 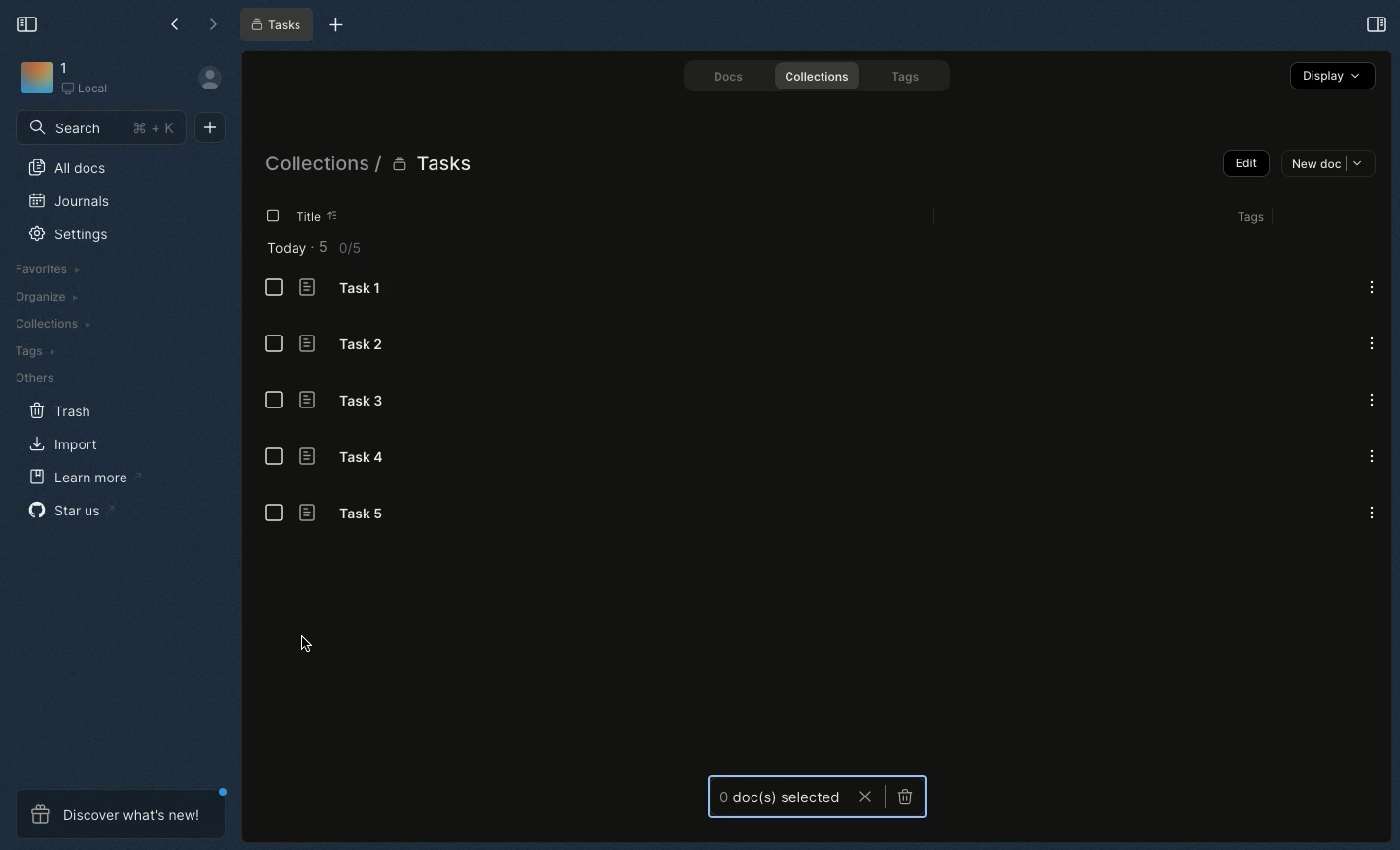 I want to click on Tags, so click(x=908, y=76).